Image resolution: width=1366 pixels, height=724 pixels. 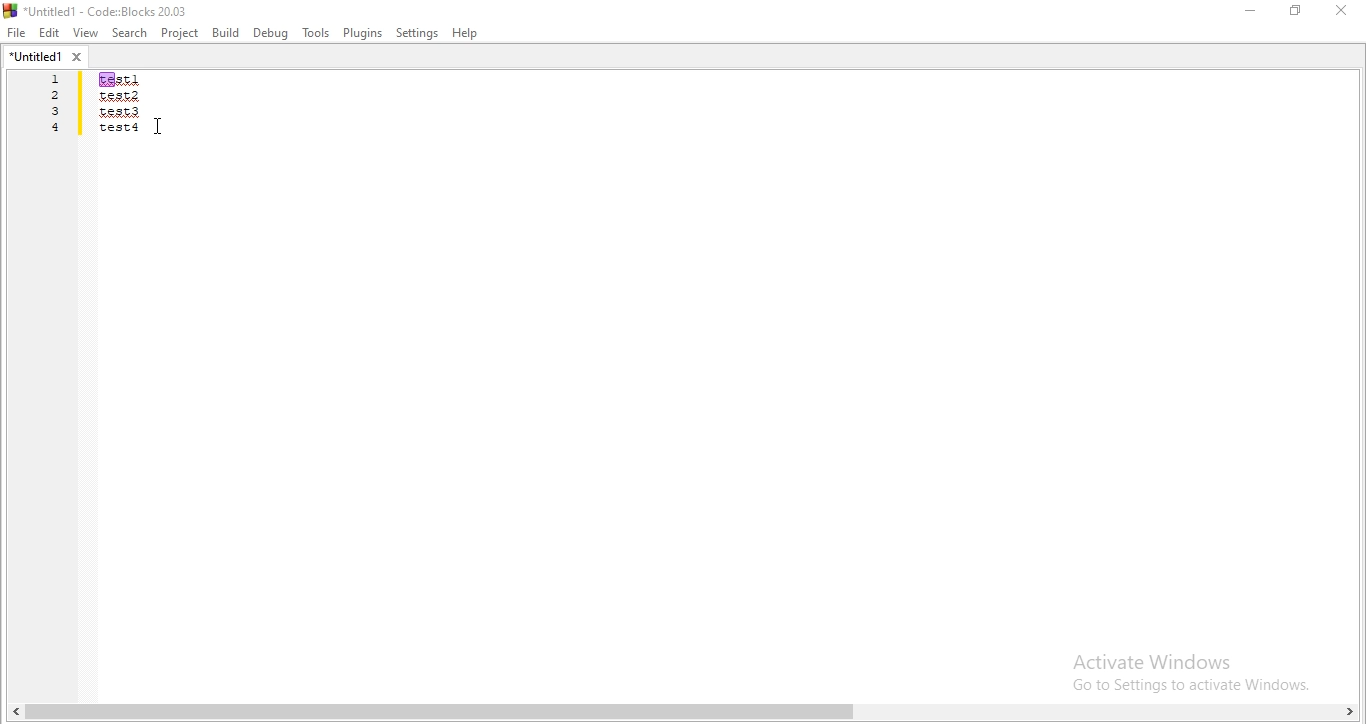 What do you see at coordinates (1346, 11) in the screenshot?
I see `close` at bounding box center [1346, 11].